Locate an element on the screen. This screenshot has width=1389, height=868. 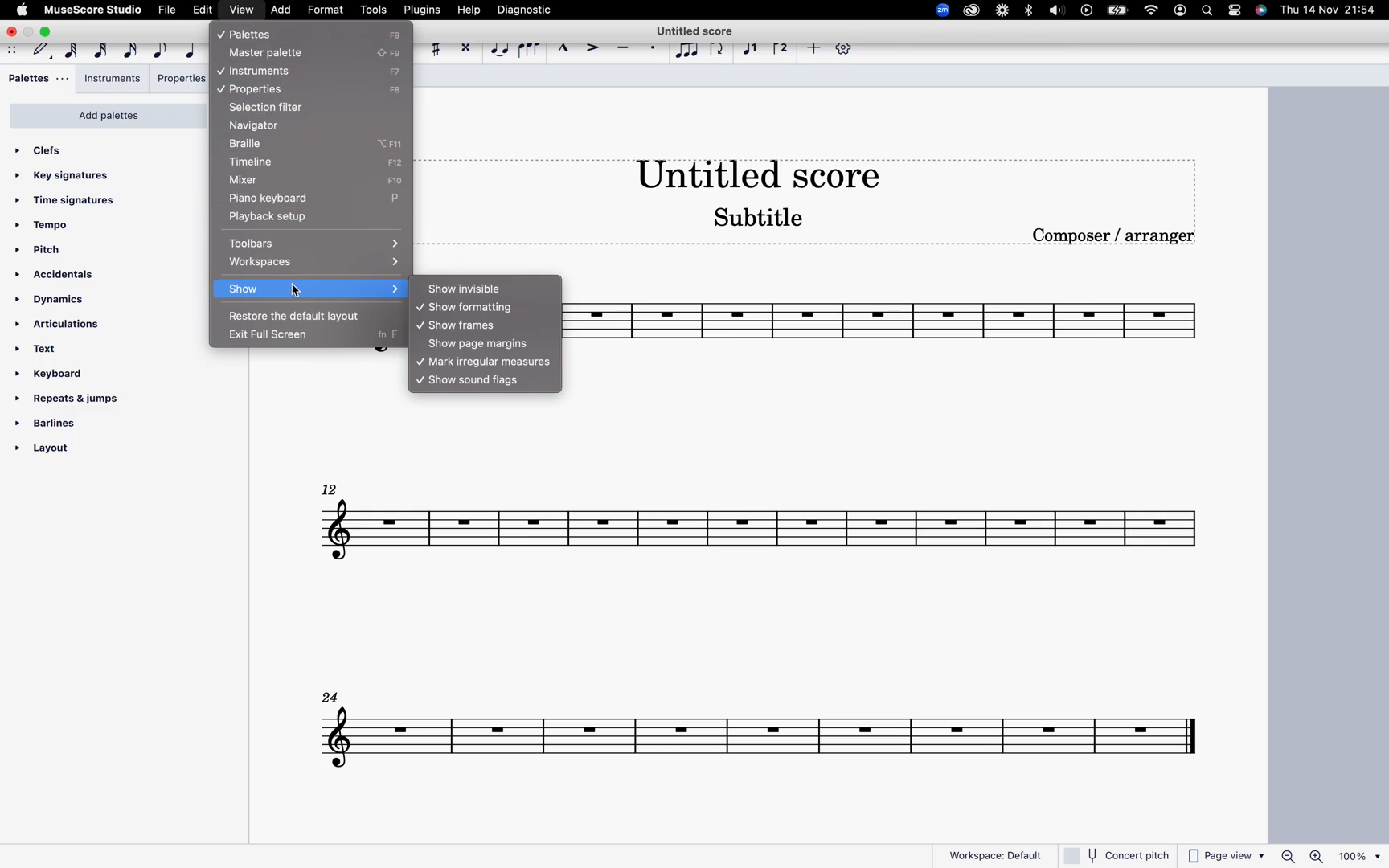
settings is located at coordinates (842, 51).